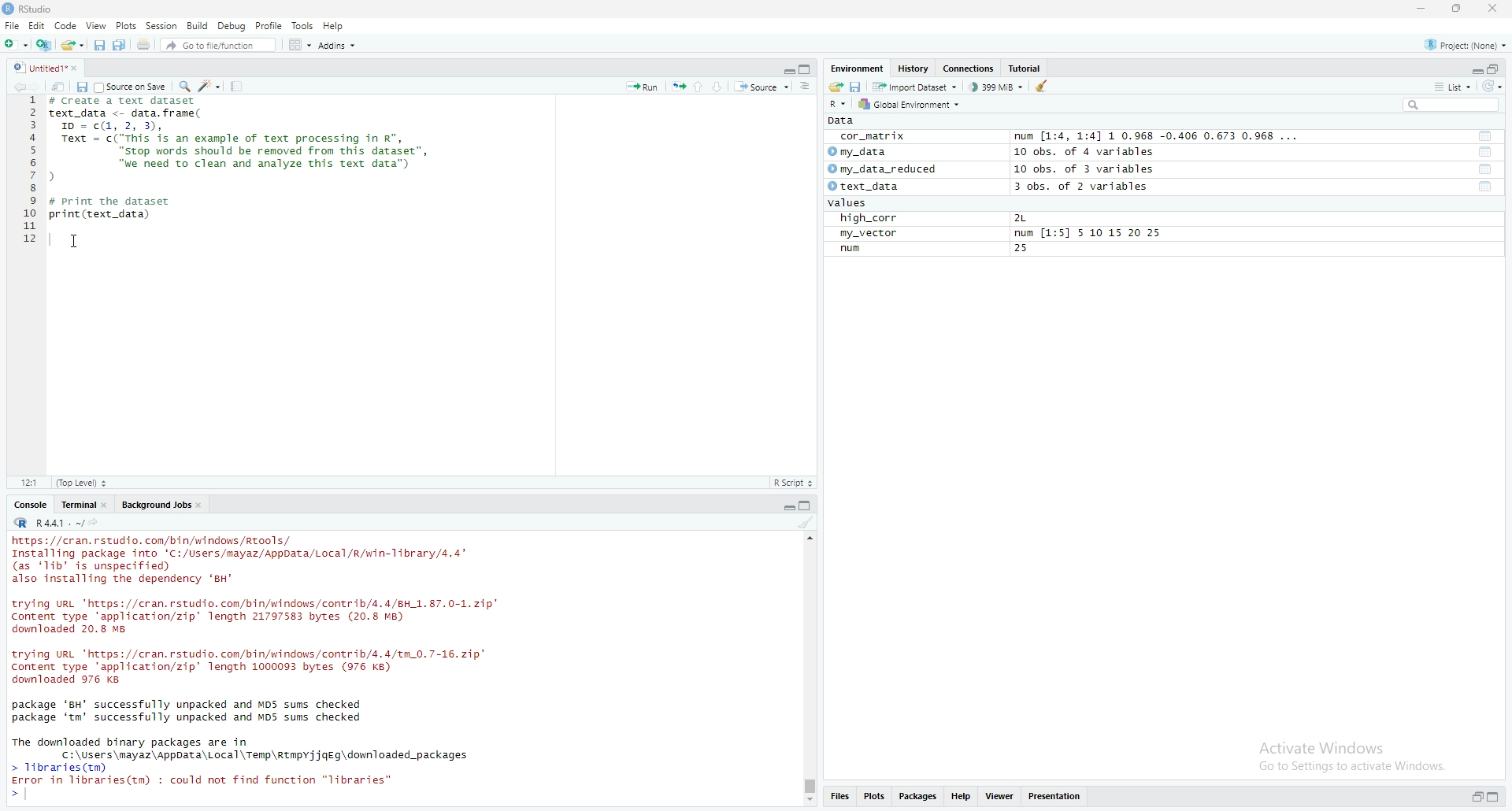  I want to click on go to previous section, so click(700, 85).